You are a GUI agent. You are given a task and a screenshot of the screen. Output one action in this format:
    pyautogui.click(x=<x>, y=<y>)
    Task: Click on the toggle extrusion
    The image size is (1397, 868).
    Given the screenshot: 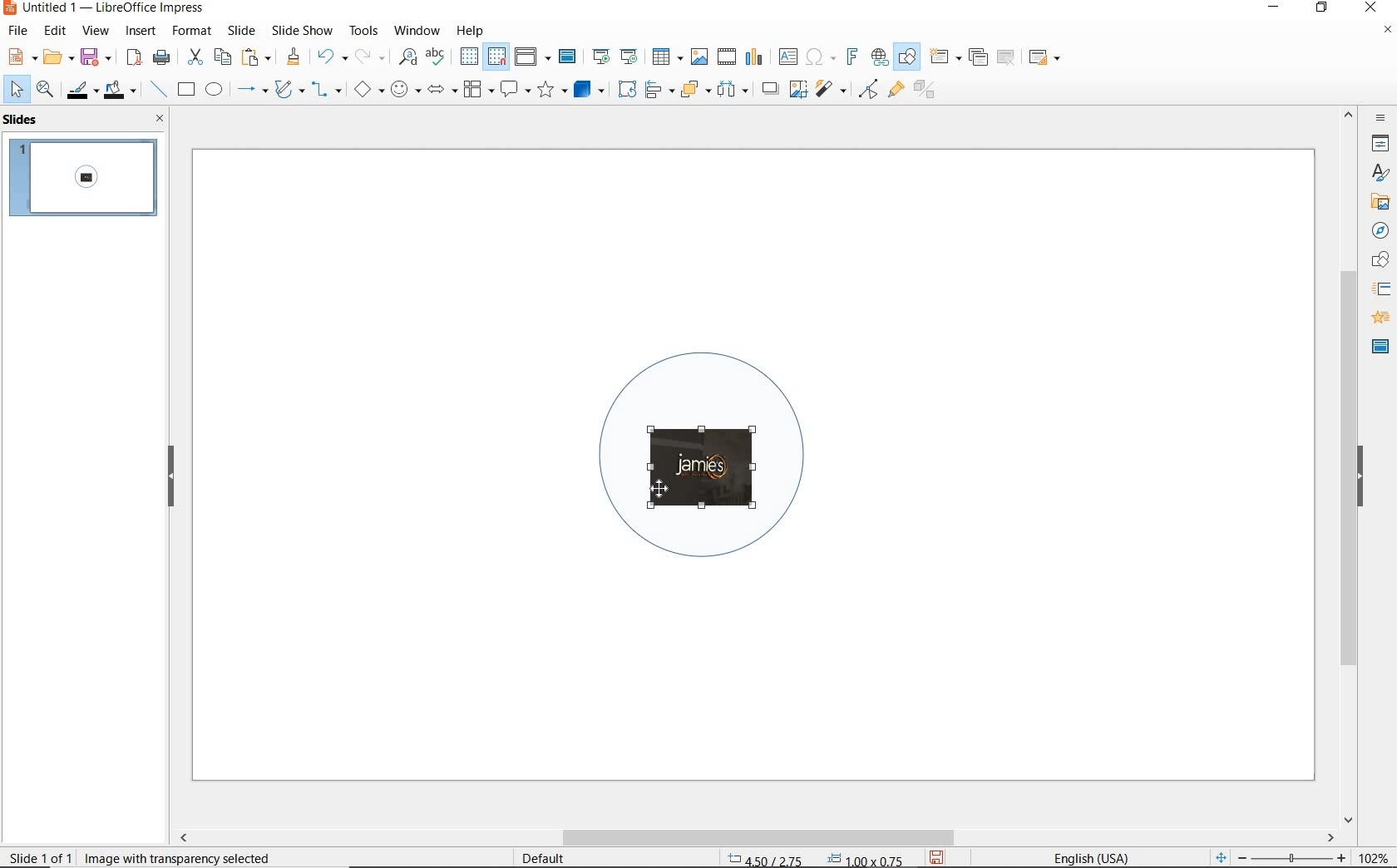 What is the action you would take?
    pyautogui.click(x=929, y=91)
    